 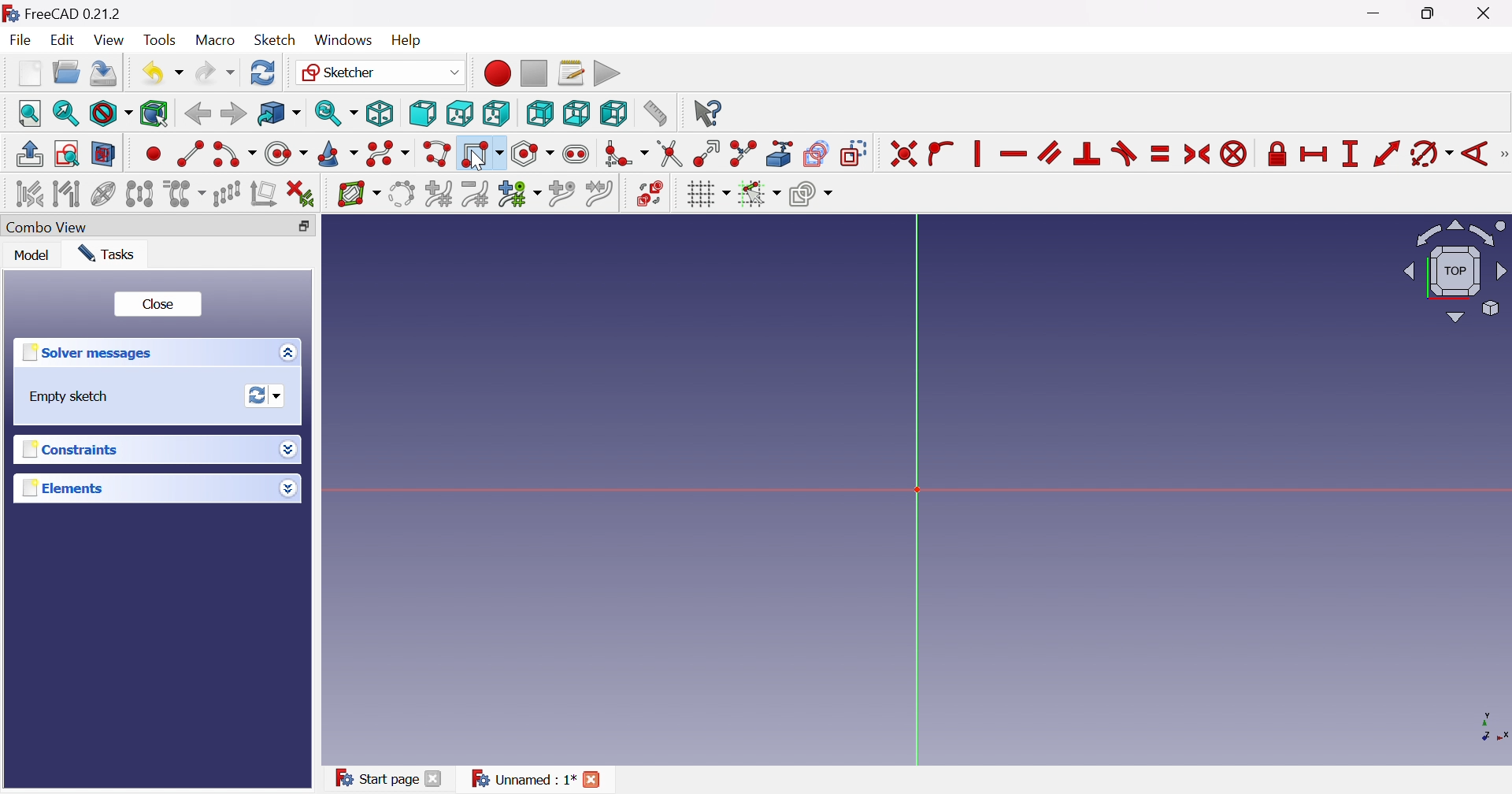 I want to click on Create conic, so click(x=338, y=154).